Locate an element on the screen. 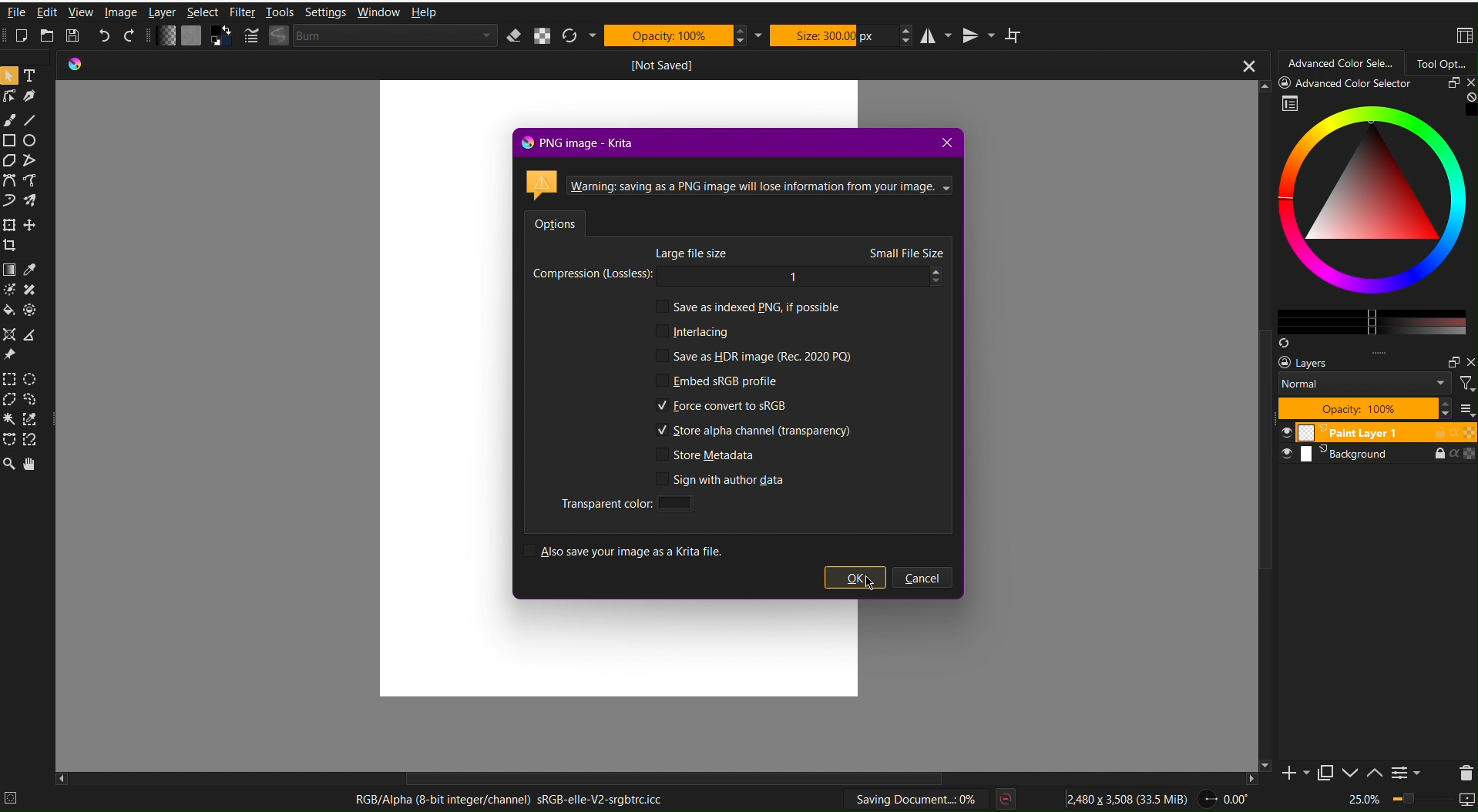  Settings is located at coordinates (325, 12).